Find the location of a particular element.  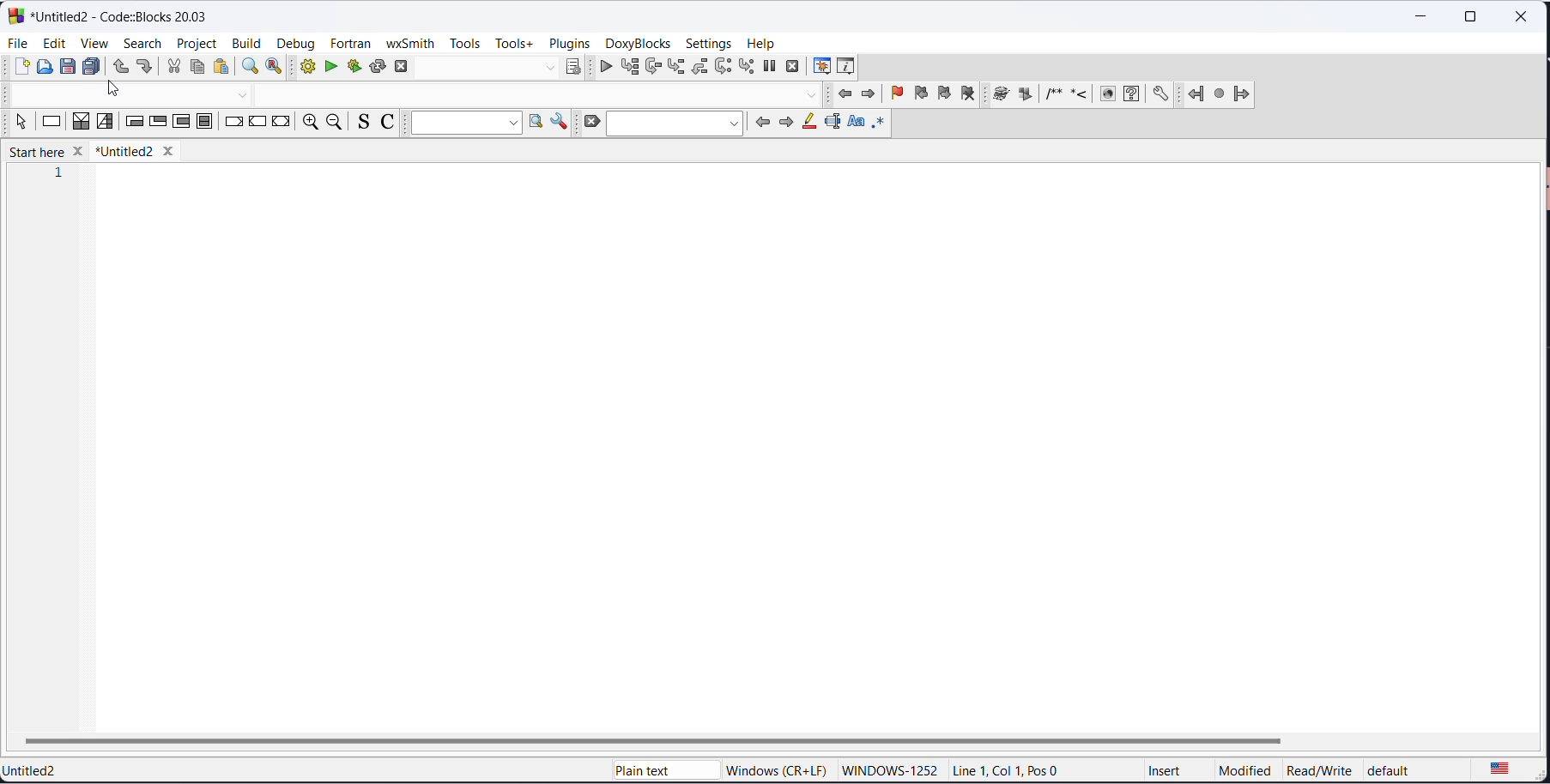

counting loop is located at coordinates (181, 122).